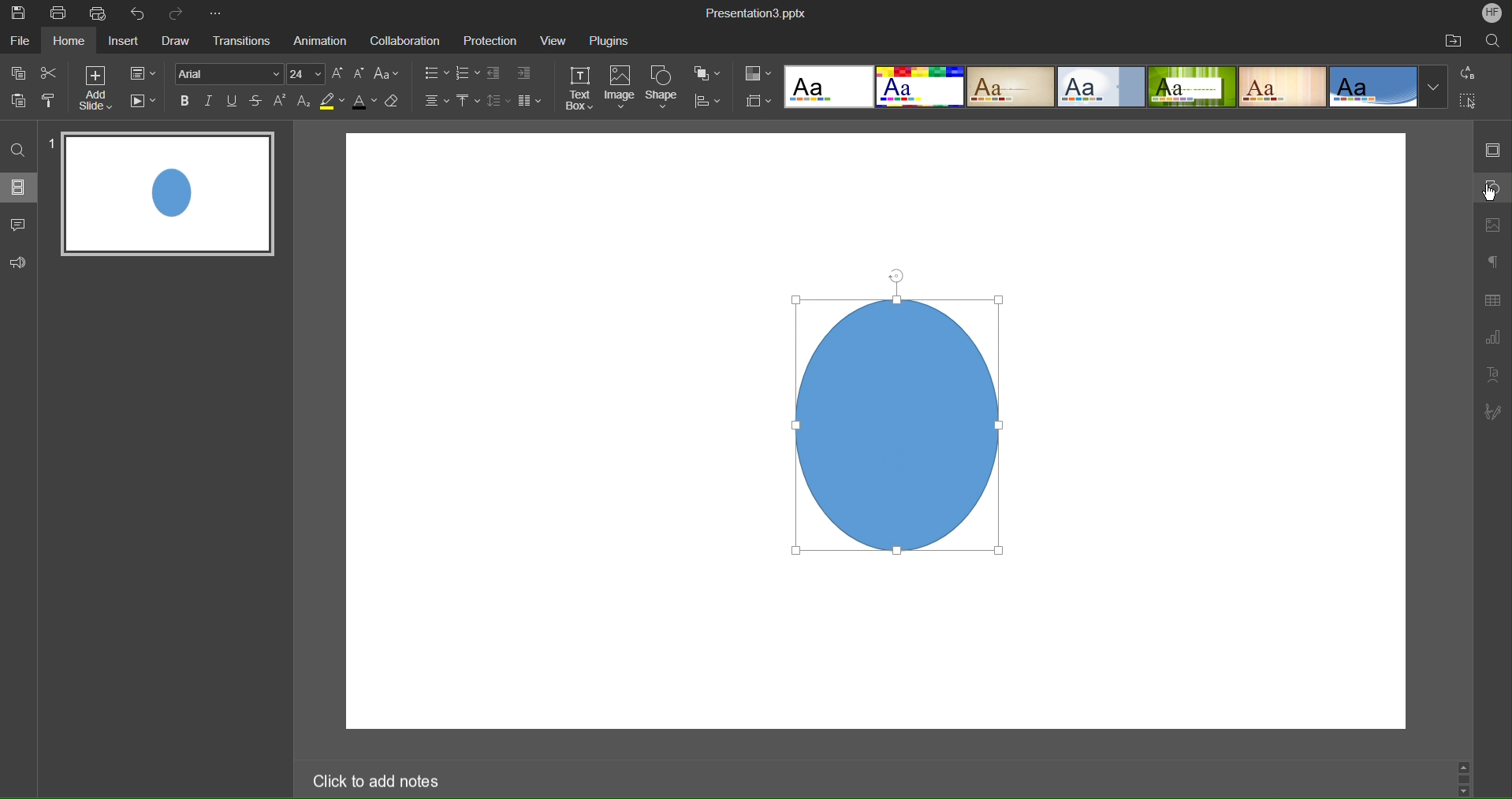 This screenshot has height=799, width=1512. Describe the element at coordinates (177, 43) in the screenshot. I see `Draw` at that location.